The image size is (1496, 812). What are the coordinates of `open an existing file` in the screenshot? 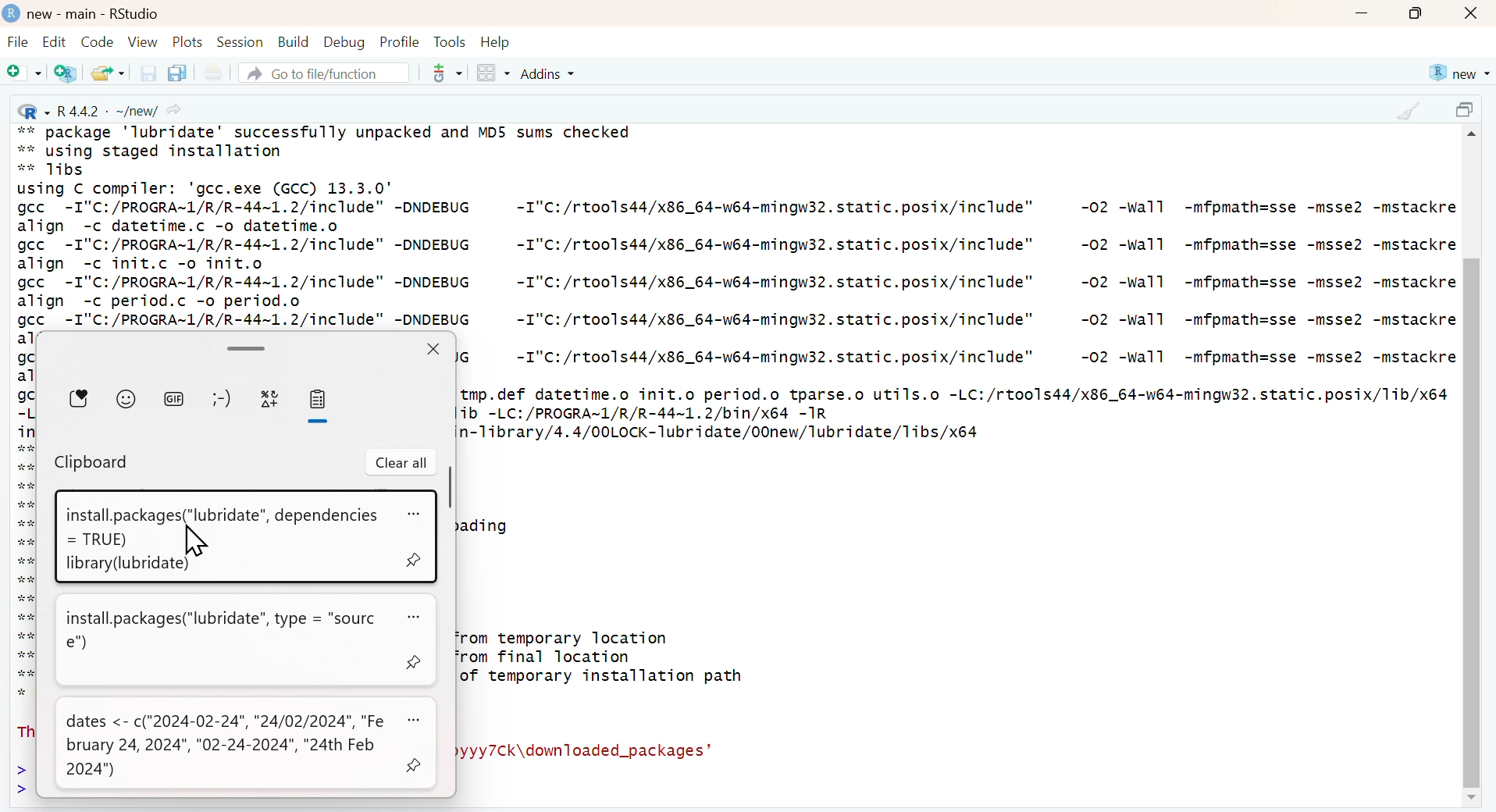 It's located at (107, 72).